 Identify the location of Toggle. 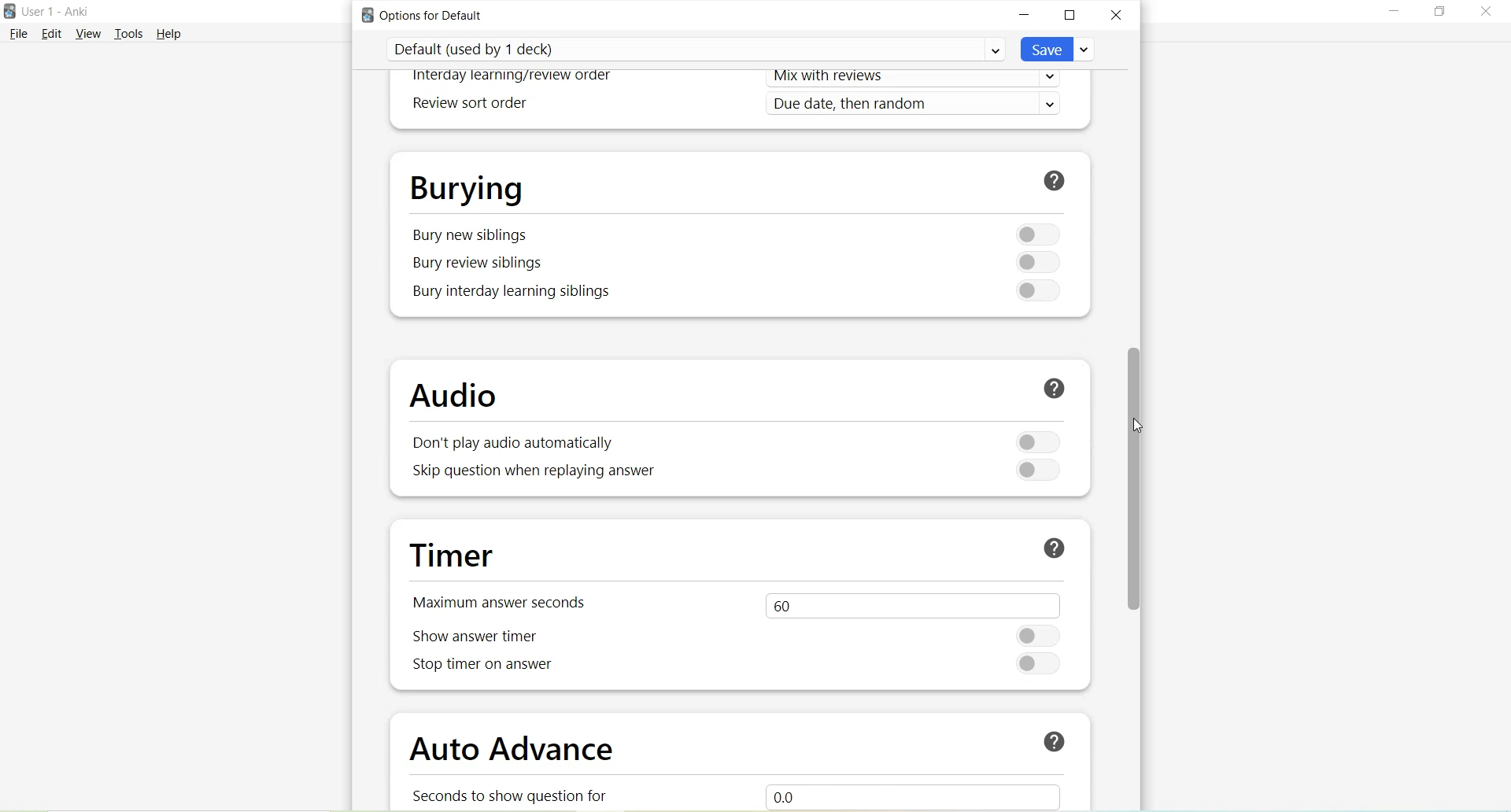
(1042, 635).